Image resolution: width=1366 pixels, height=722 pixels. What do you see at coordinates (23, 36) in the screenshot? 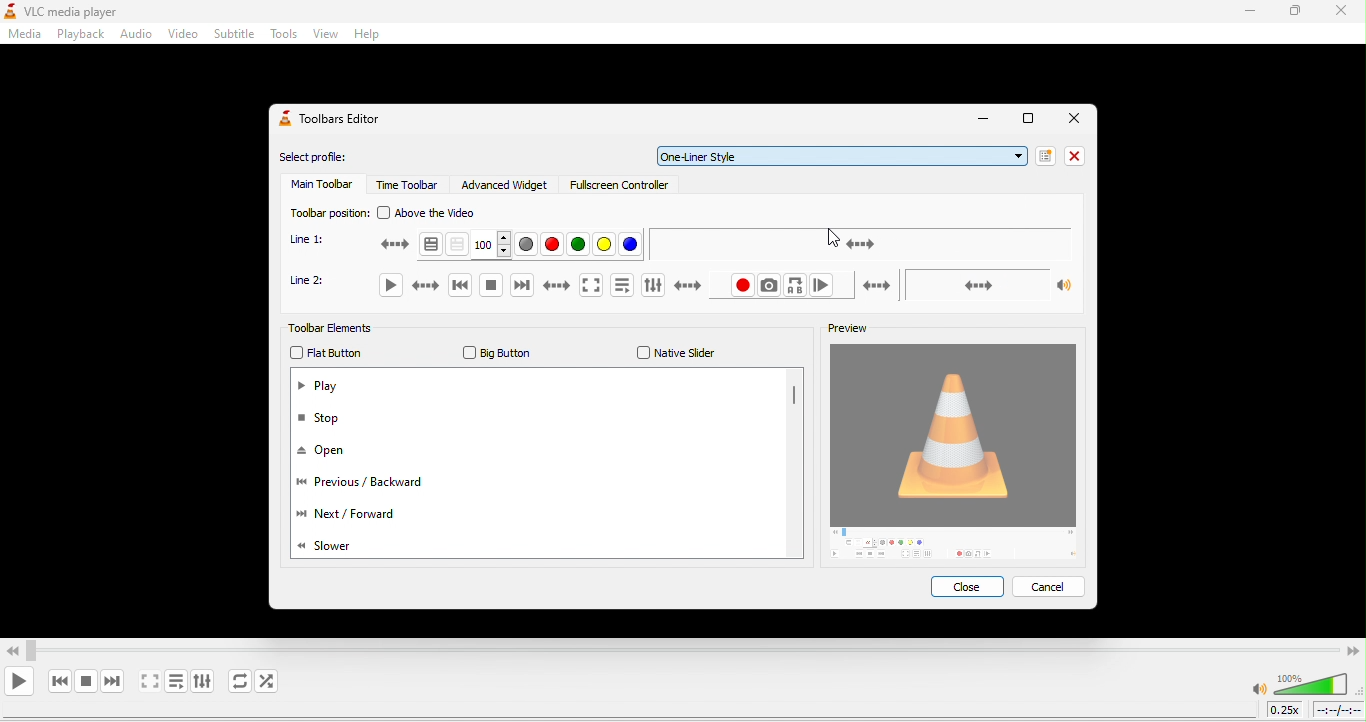
I see `media` at bounding box center [23, 36].